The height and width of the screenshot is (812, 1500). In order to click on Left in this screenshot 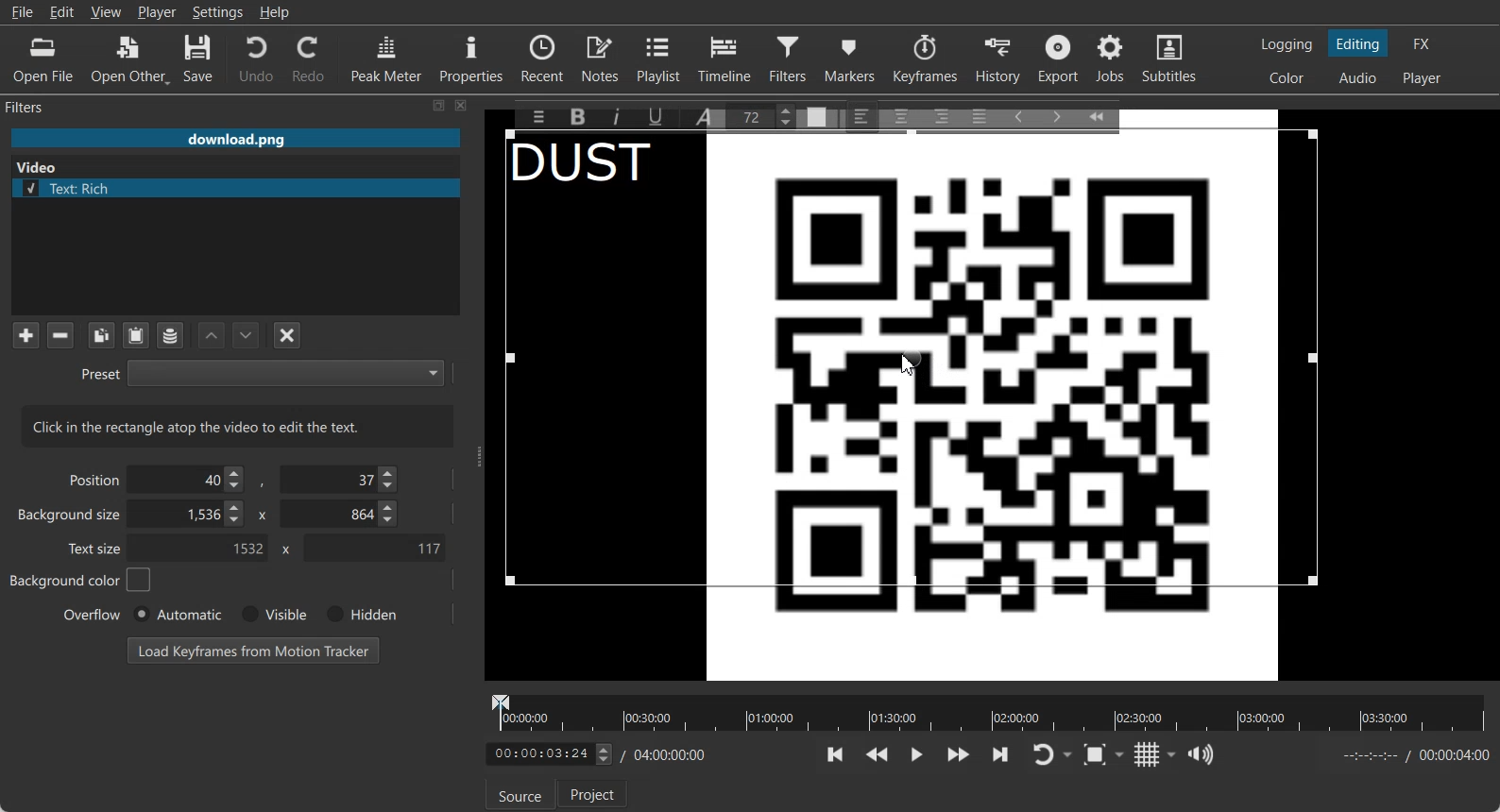, I will do `click(862, 115)`.